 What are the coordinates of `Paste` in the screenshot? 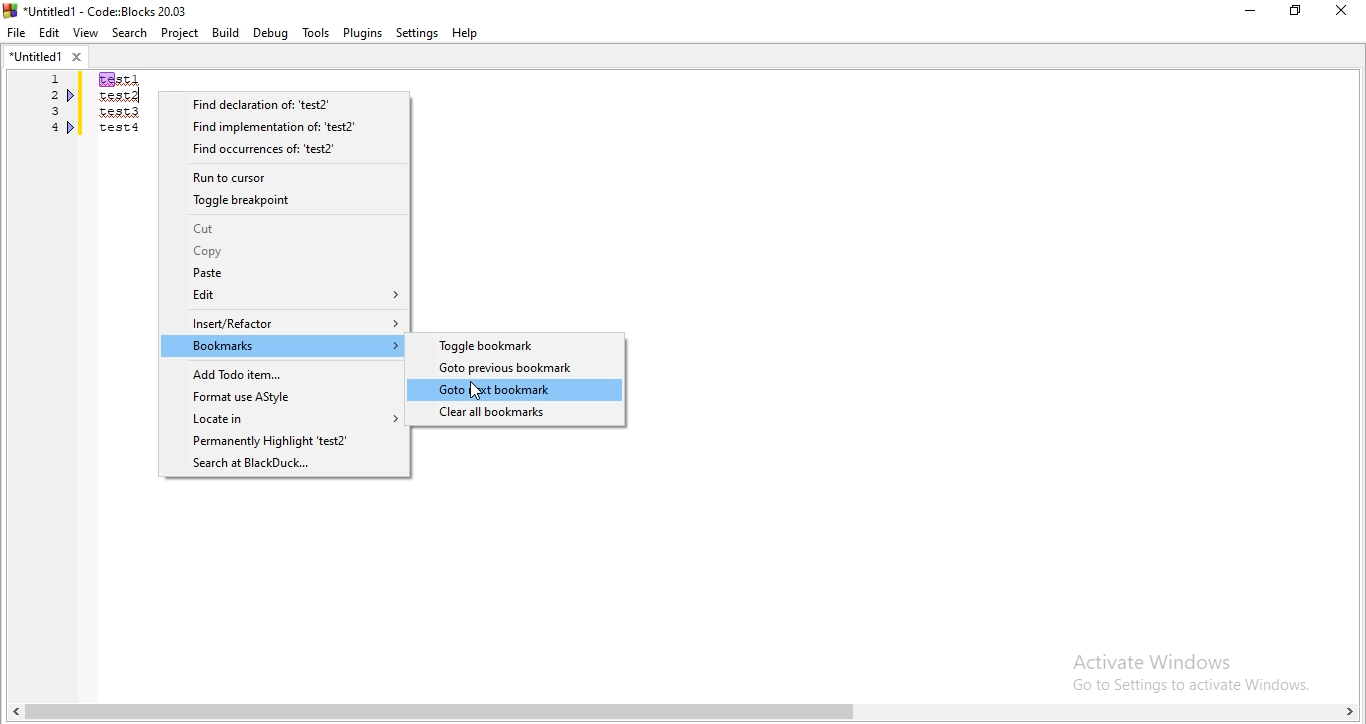 It's located at (283, 273).